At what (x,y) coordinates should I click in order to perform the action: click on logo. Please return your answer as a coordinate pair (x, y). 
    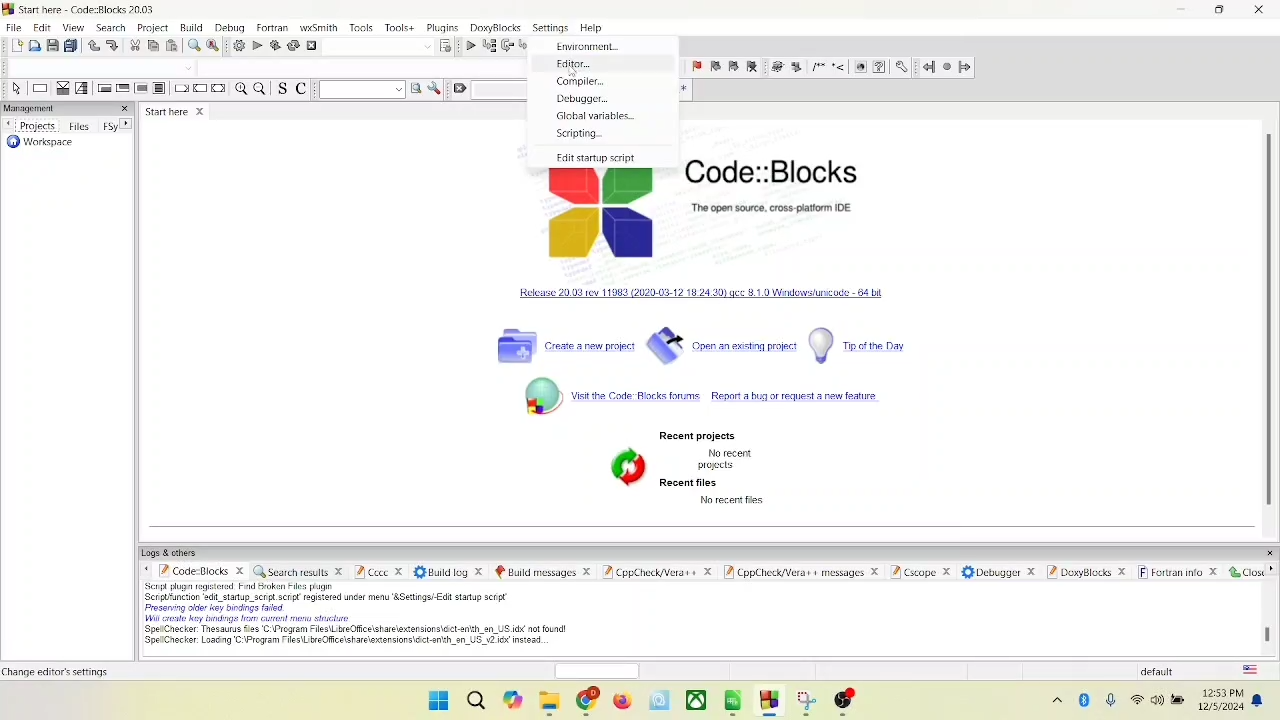
    Looking at the image, I should click on (600, 213).